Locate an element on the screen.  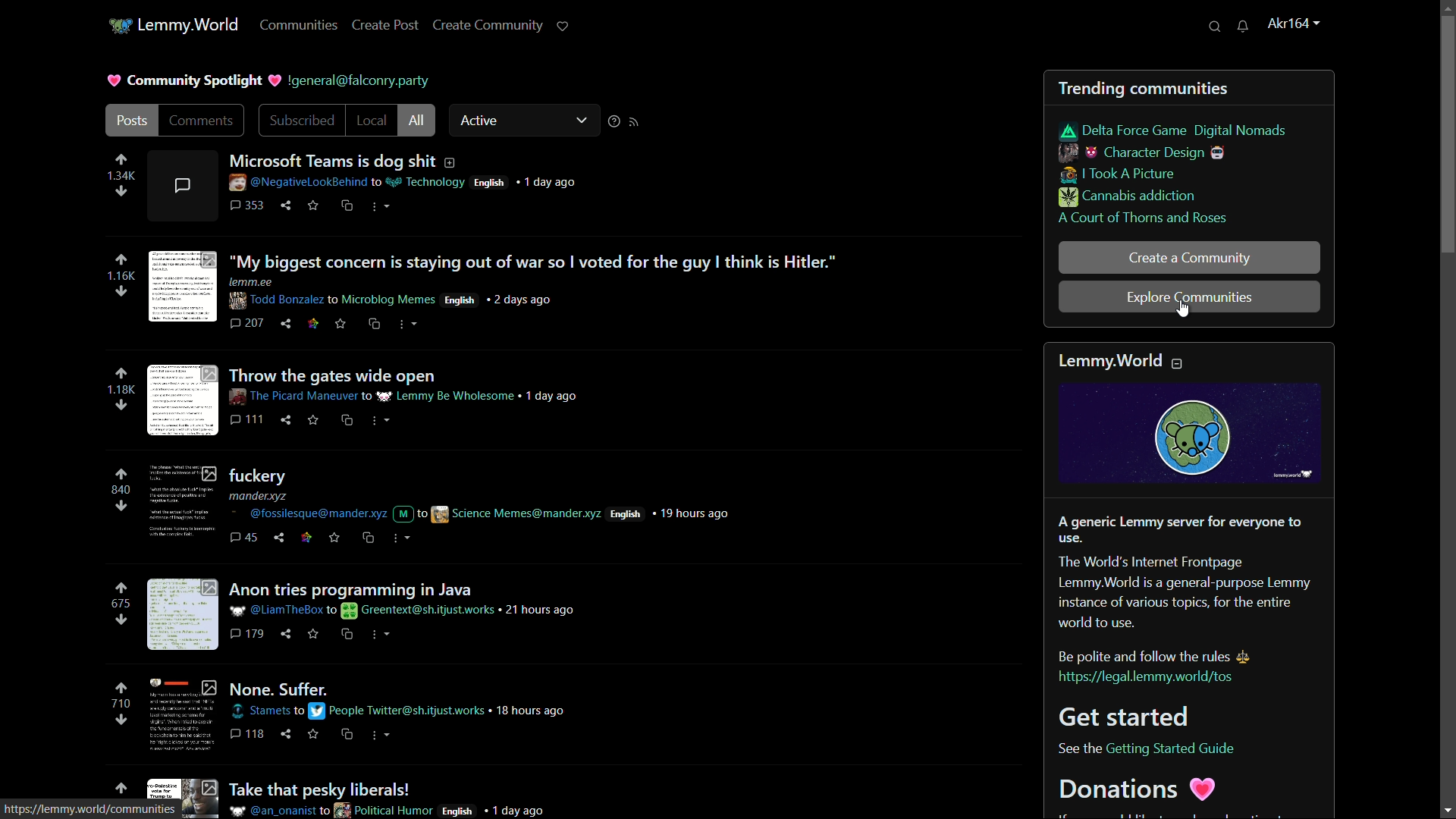
save is located at coordinates (335, 537).